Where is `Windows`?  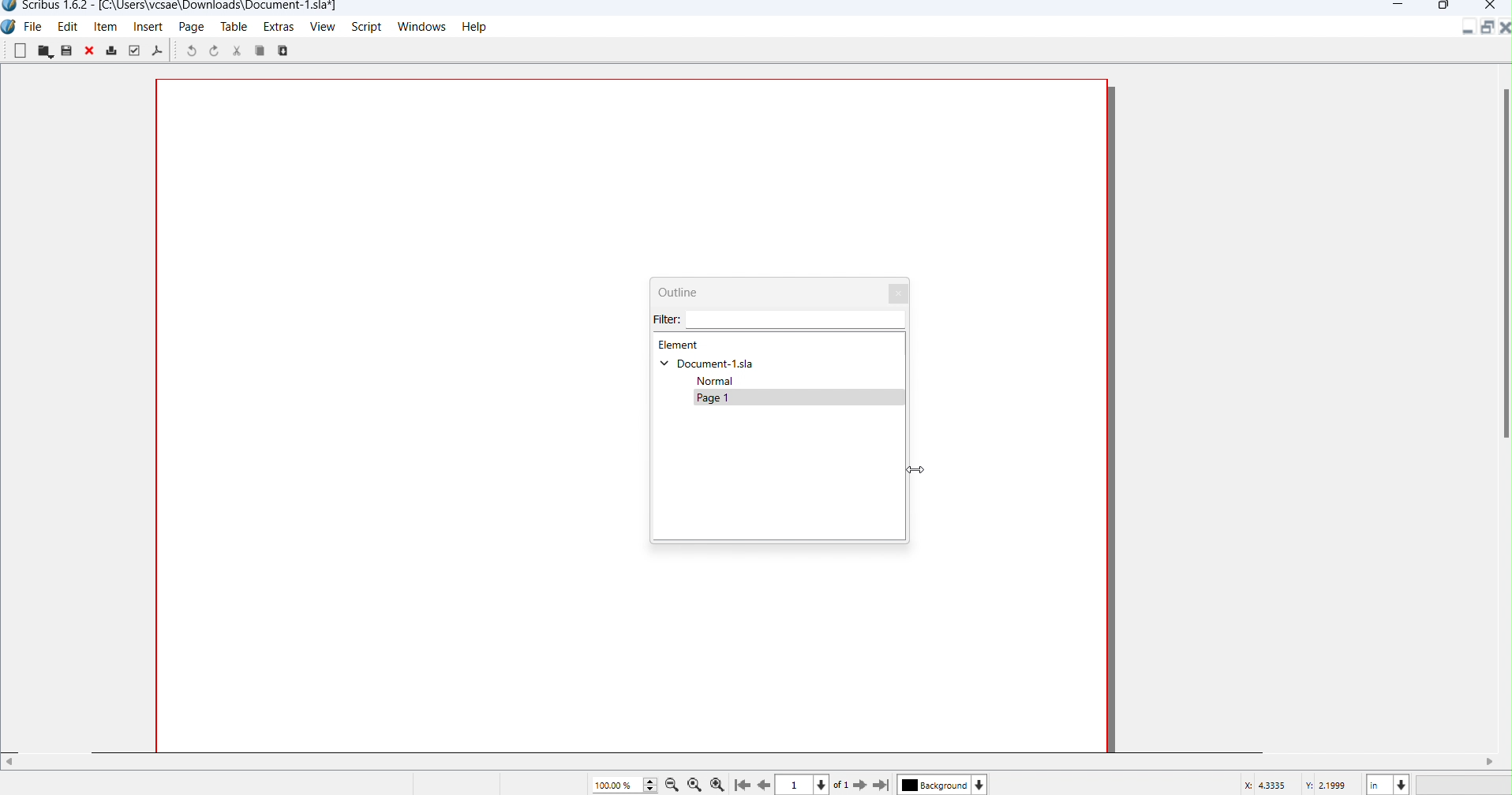 Windows is located at coordinates (424, 27).